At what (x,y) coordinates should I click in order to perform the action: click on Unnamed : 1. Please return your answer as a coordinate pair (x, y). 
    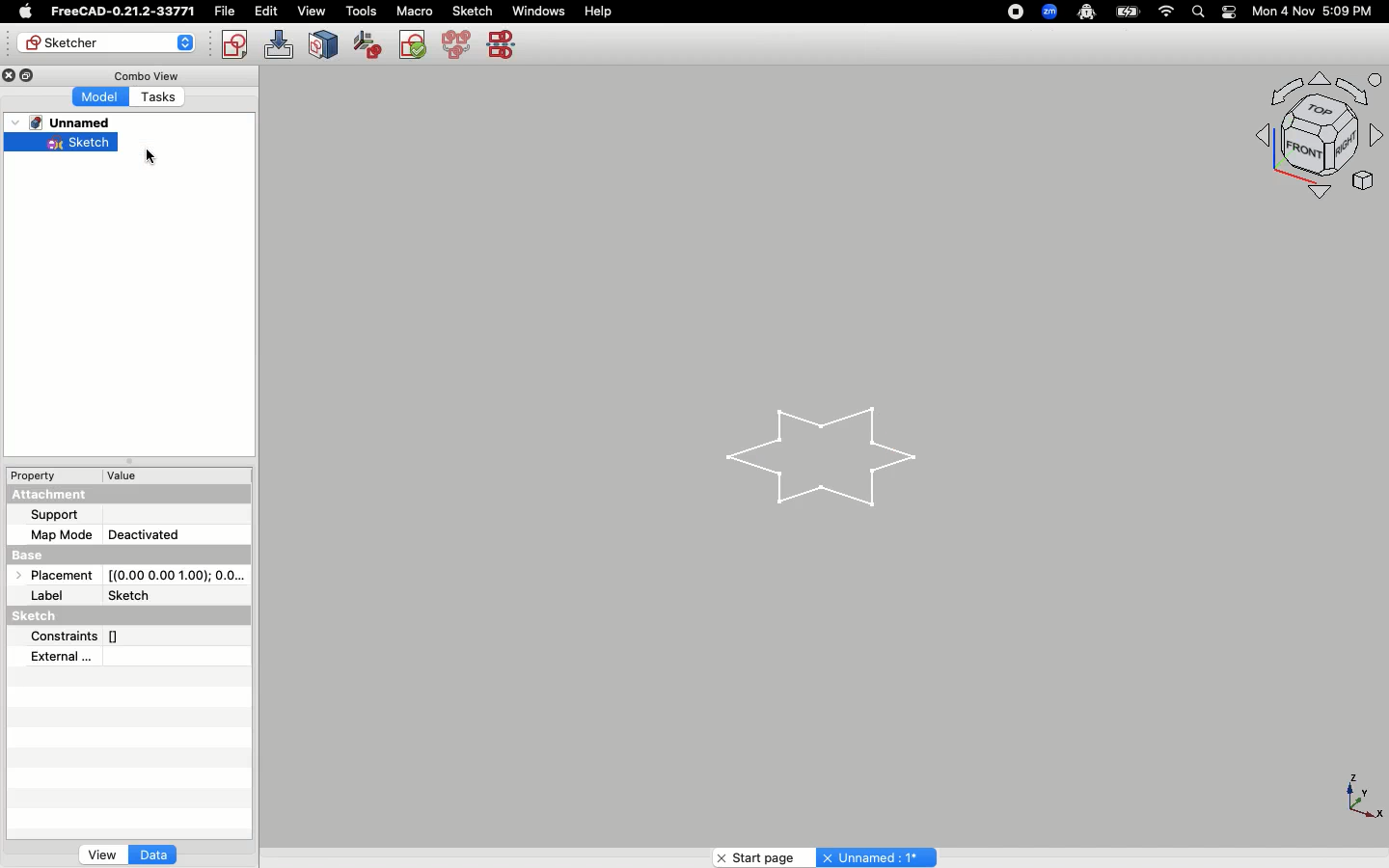
    Looking at the image, I should click on (876, 854).